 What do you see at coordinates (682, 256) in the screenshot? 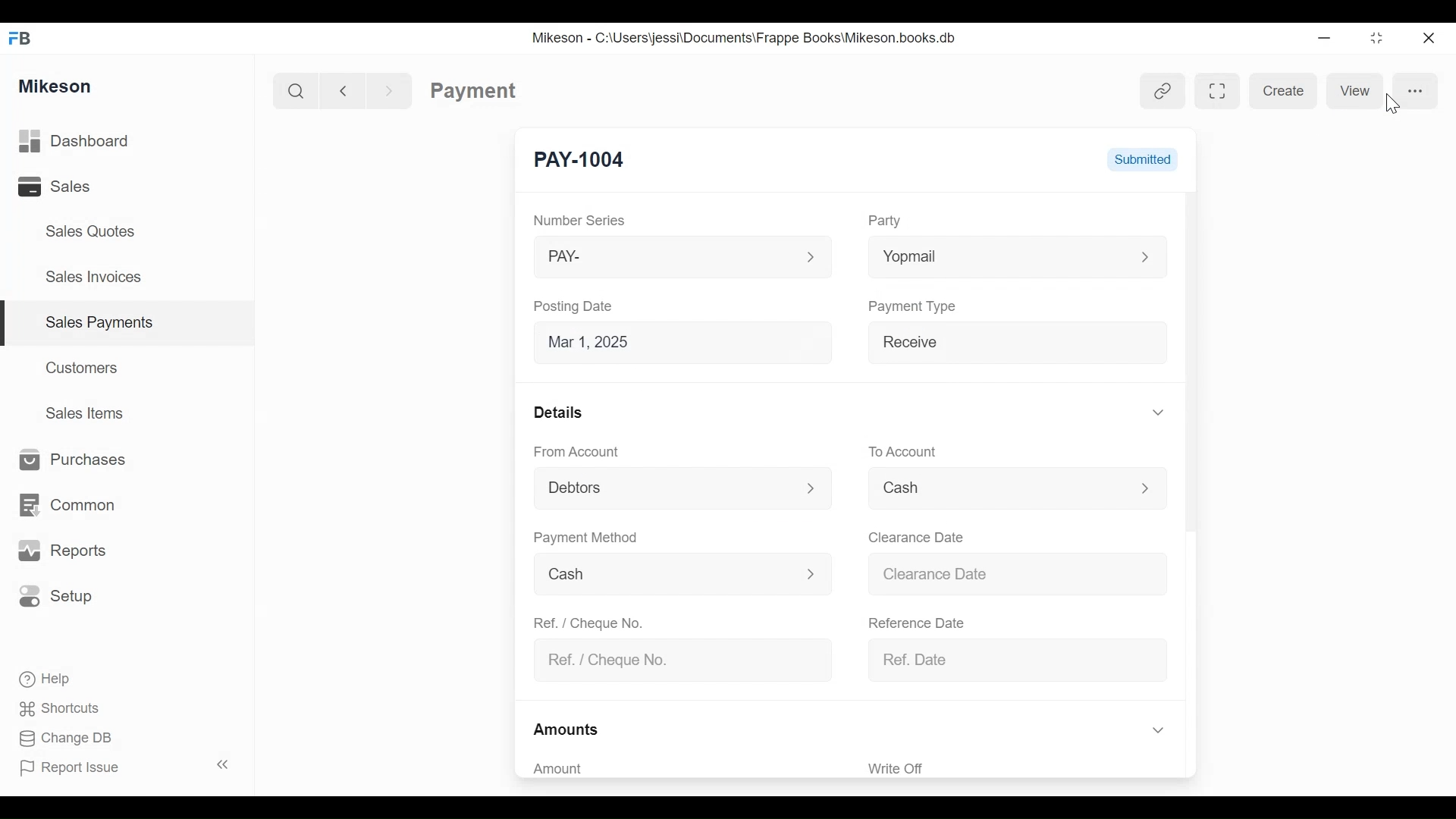
I see `PAY-` at bounding box center [682, 256].